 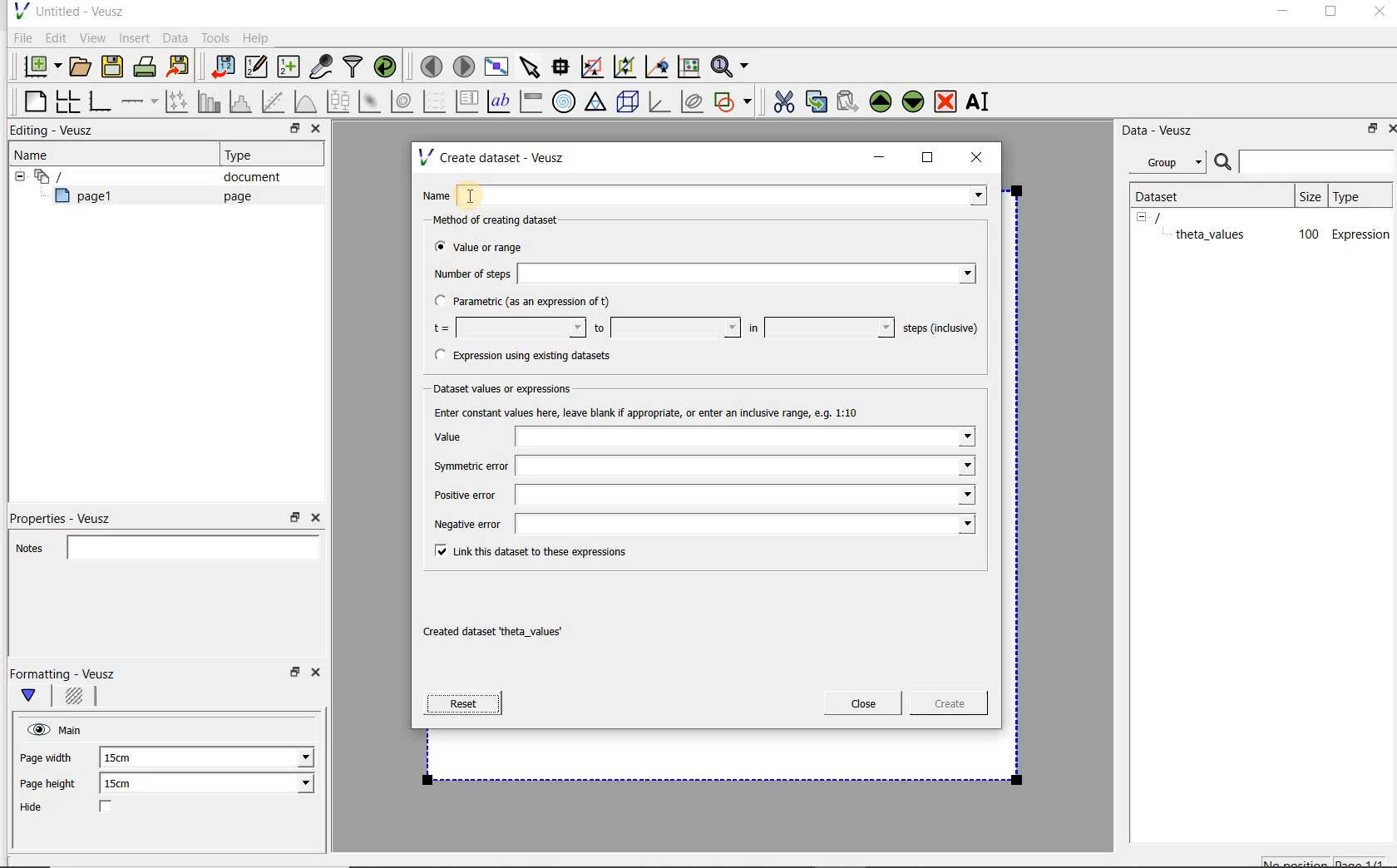 What do you see at coordinates (563, 67) in the screenshot?
I see `Read data points on the graph` at bounding box center [563, 67].